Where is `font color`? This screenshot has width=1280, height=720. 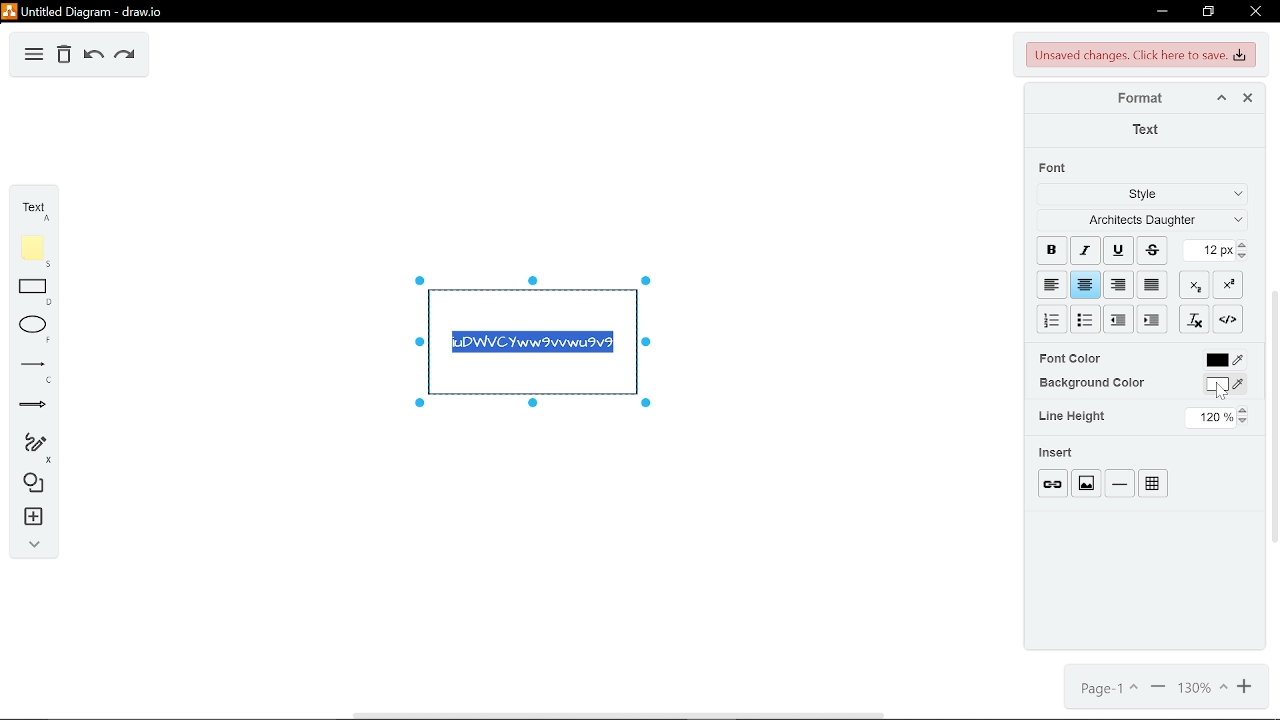 font color is located at coordinates (1073, 358).